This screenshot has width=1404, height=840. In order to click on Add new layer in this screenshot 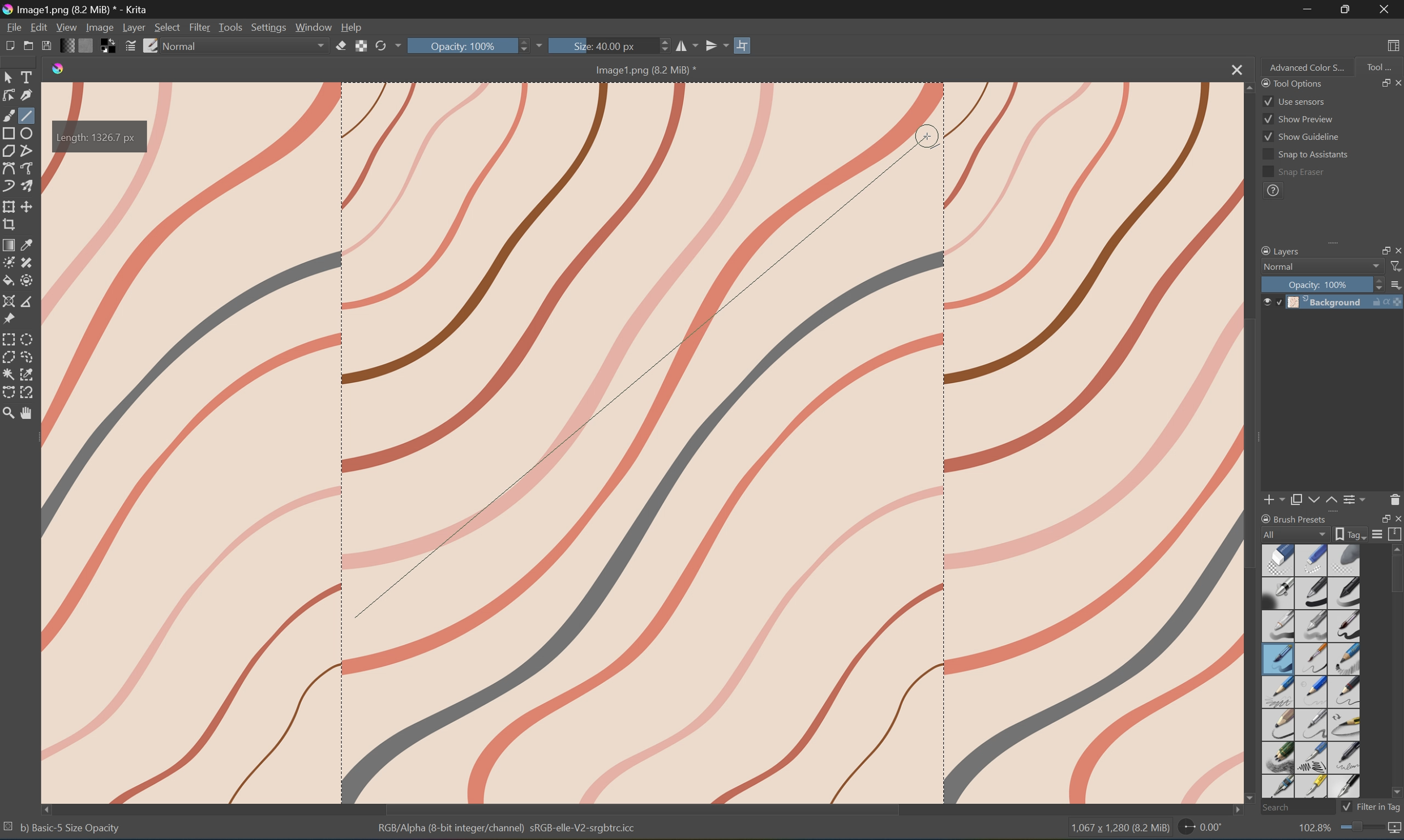, I will do `click(1275, 499)`.